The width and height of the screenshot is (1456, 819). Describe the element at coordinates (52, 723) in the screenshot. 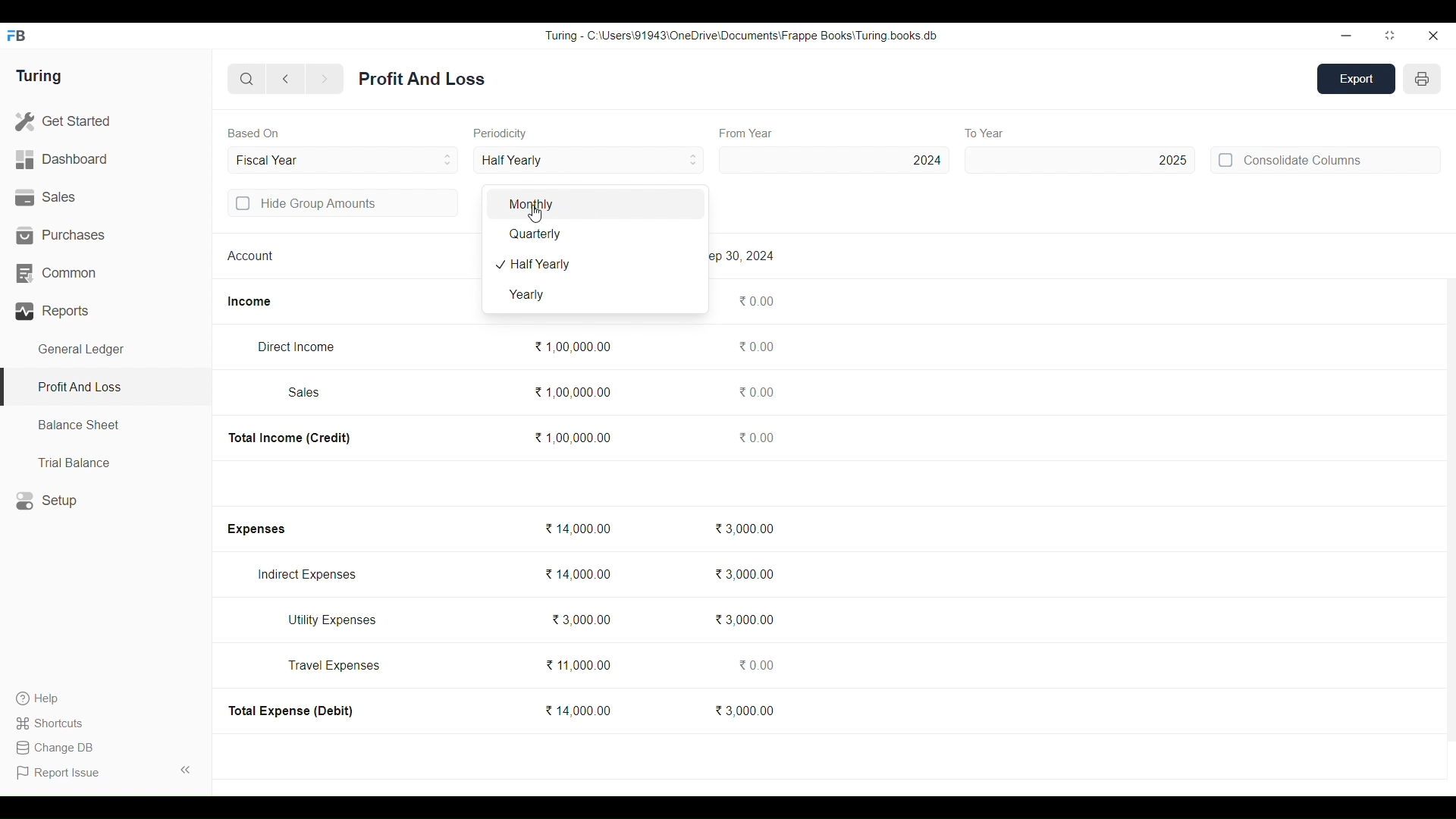

I see `Shortcuts` at that location.